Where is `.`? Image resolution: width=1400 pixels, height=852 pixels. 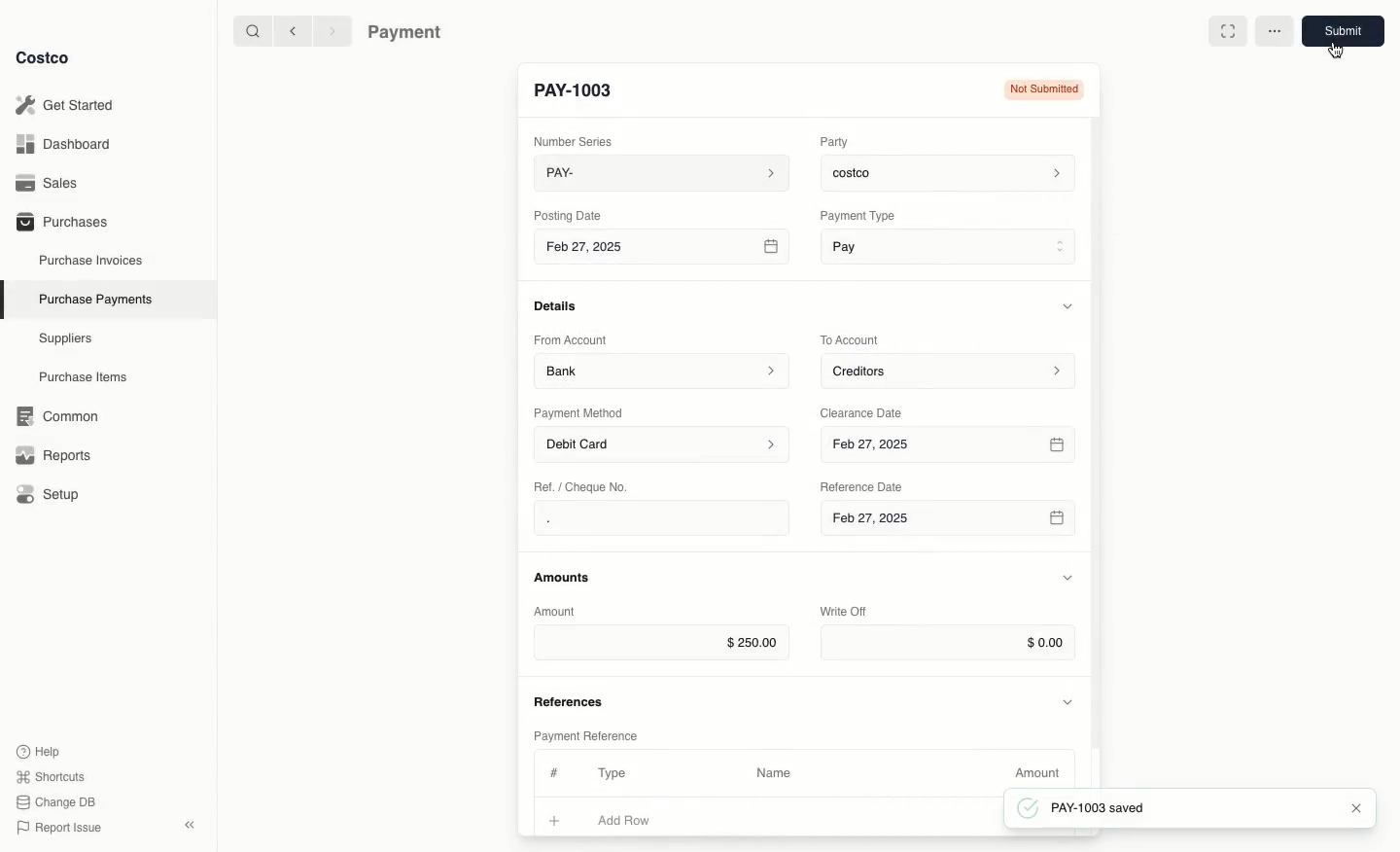
. is located at coordinates (606, 518).